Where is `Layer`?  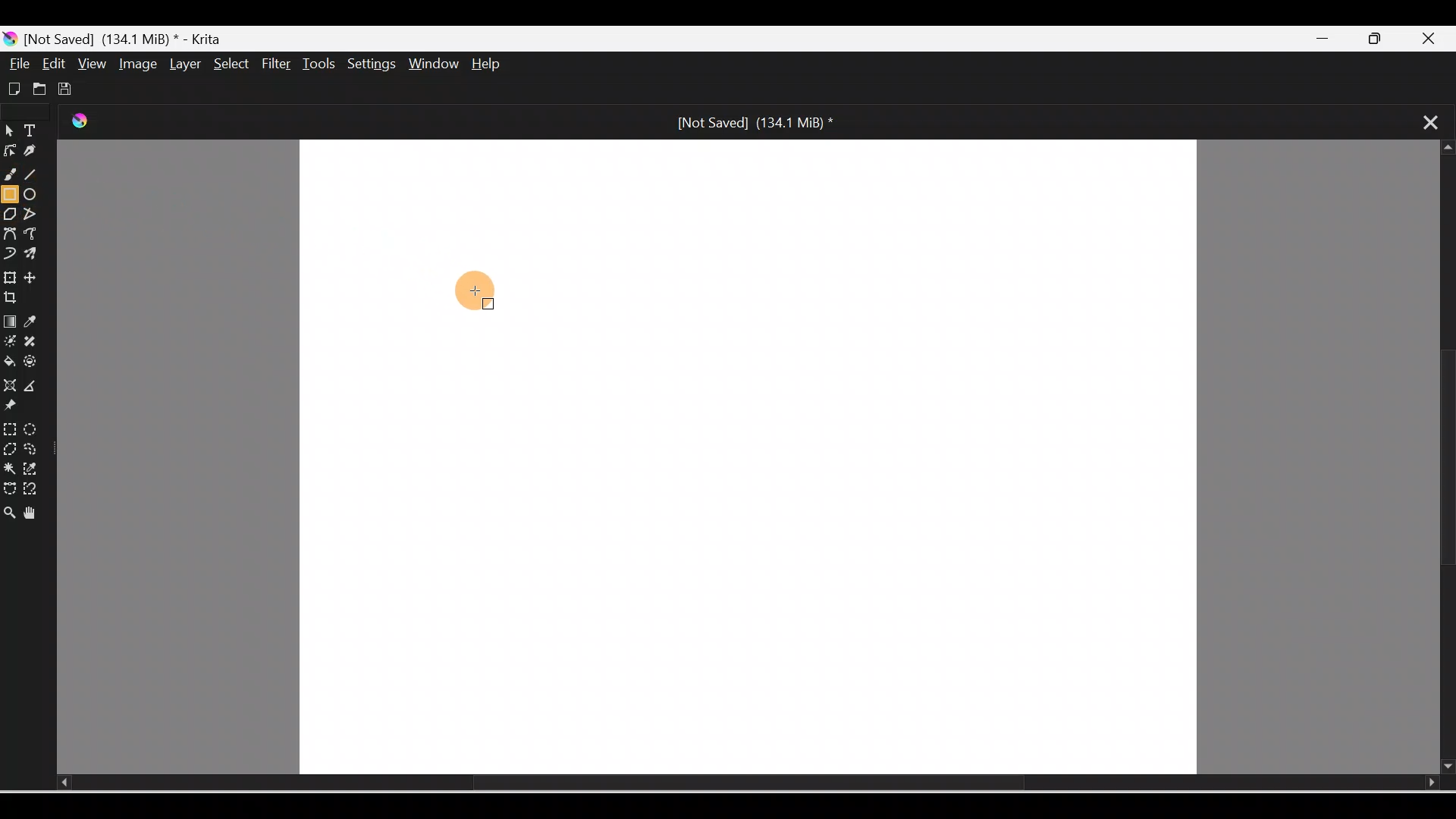 Layer is located at coordinates (182, 64).